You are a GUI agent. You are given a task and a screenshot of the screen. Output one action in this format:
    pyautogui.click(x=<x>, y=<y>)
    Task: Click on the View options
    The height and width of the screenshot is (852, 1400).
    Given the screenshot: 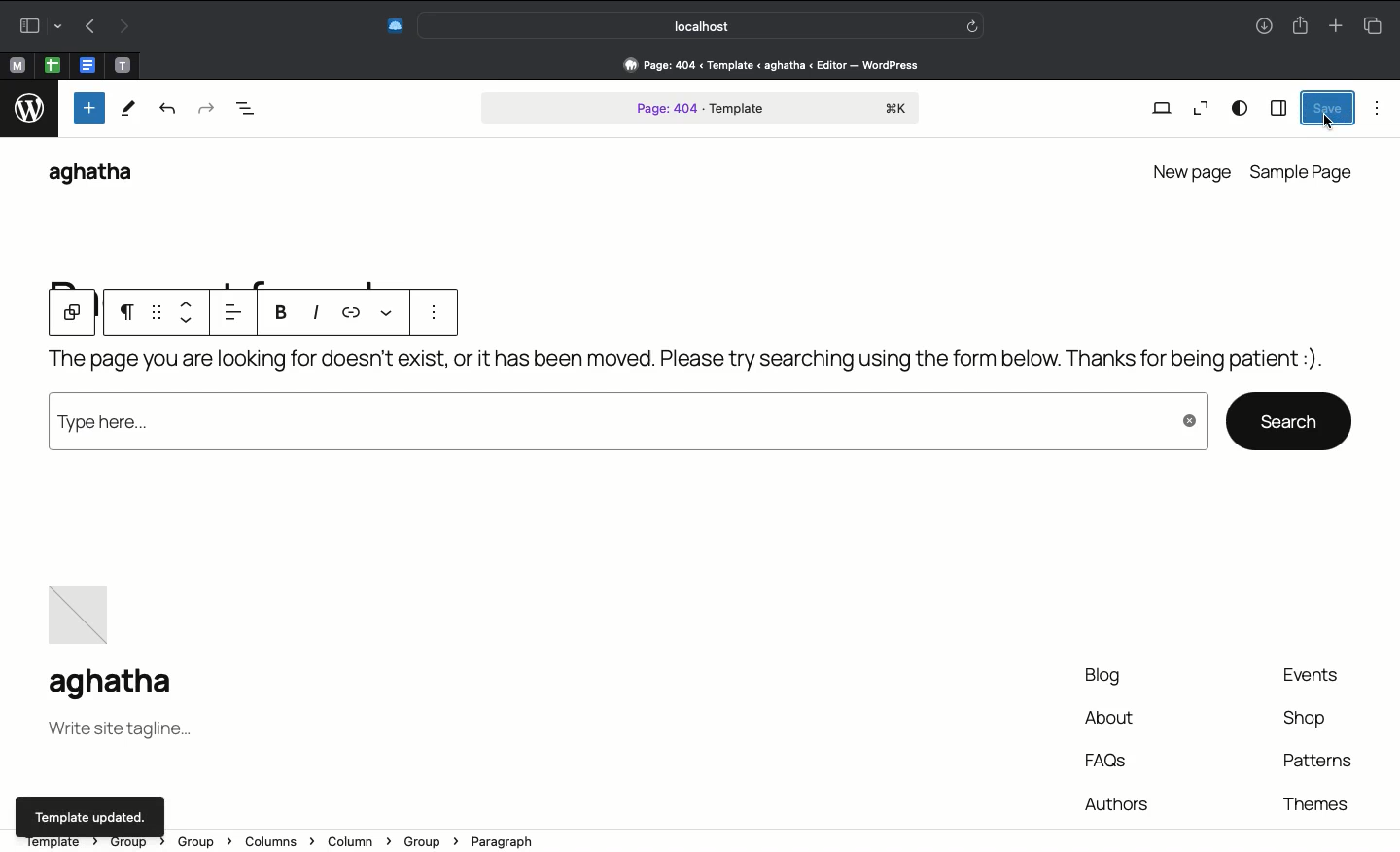 What is the action you would take?
    pyautogui.click(x=1241, y=109)
    